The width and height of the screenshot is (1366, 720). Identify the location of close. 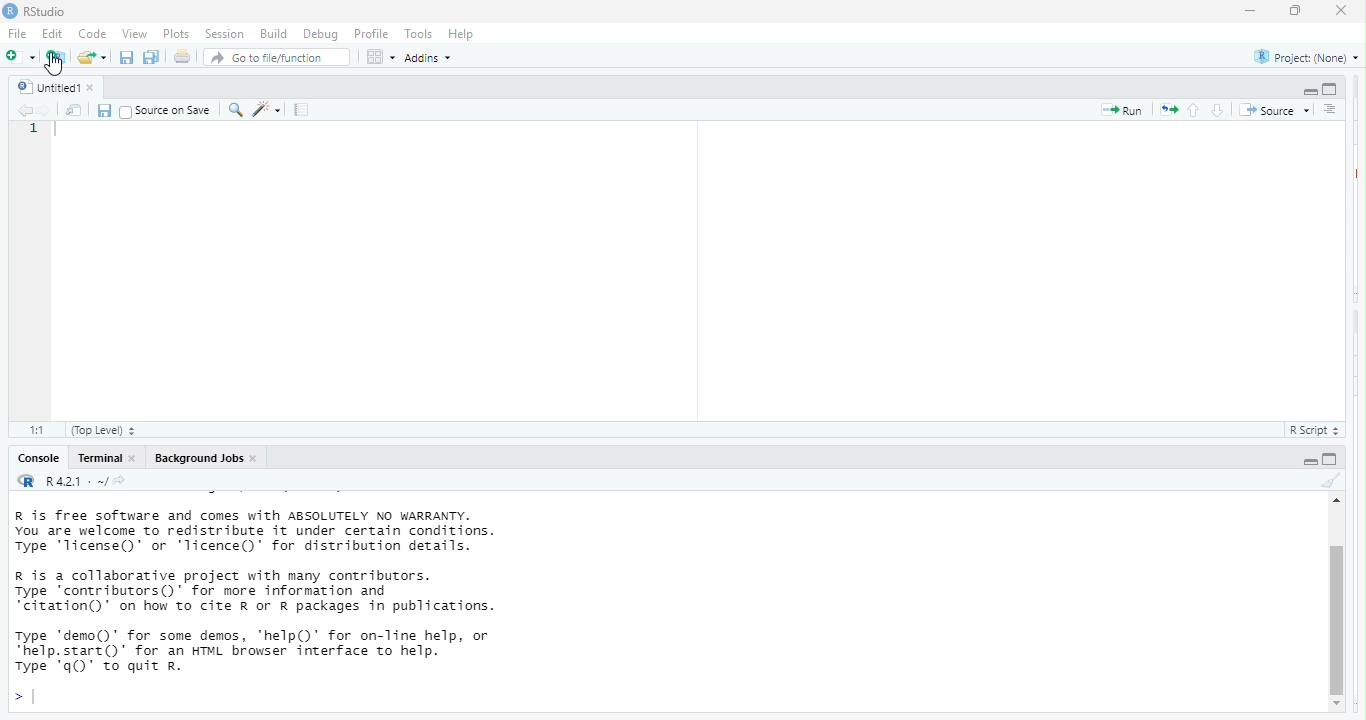
(98, 87).